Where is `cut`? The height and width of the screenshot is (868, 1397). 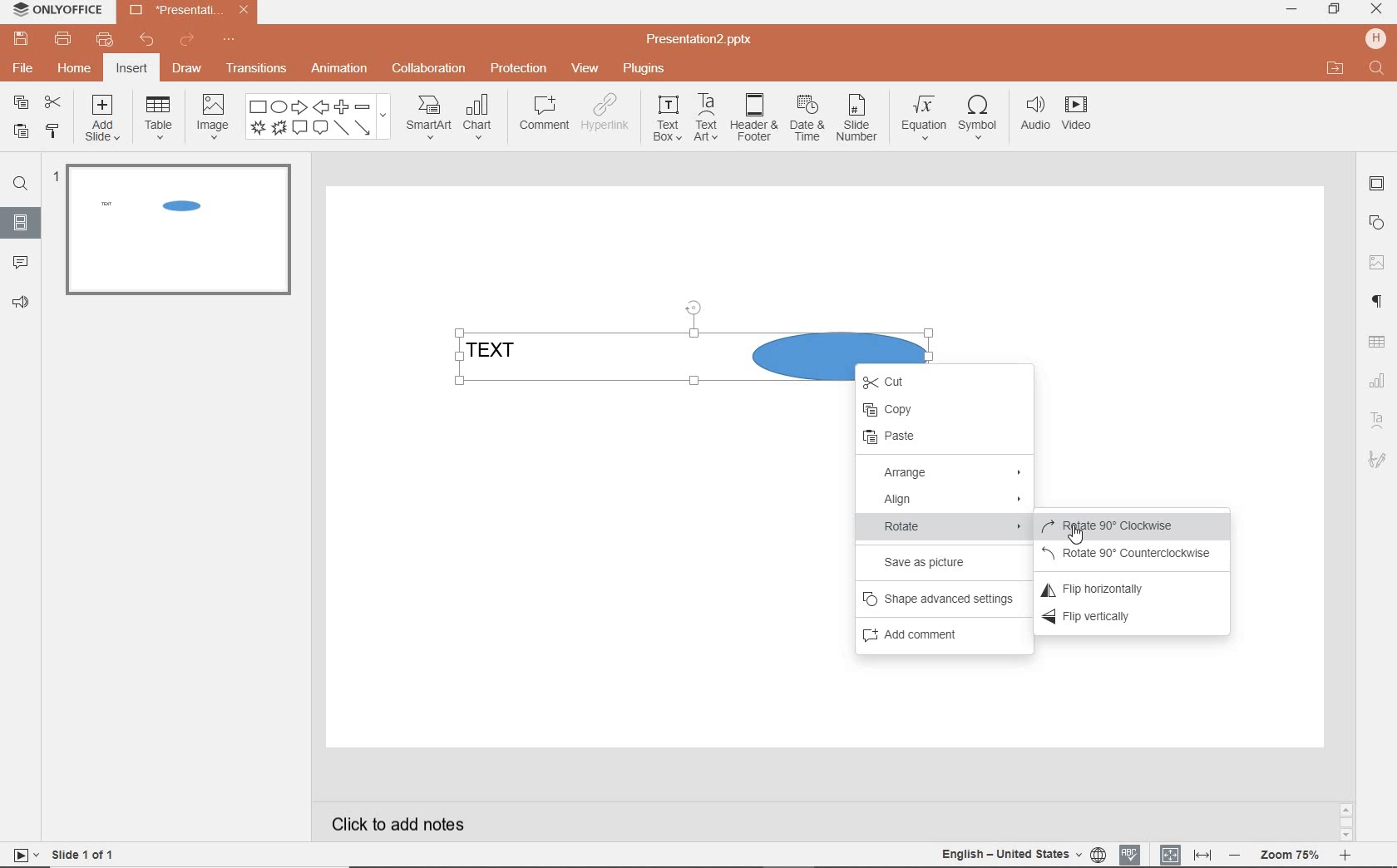 cut is located at coordinates (900, 383).